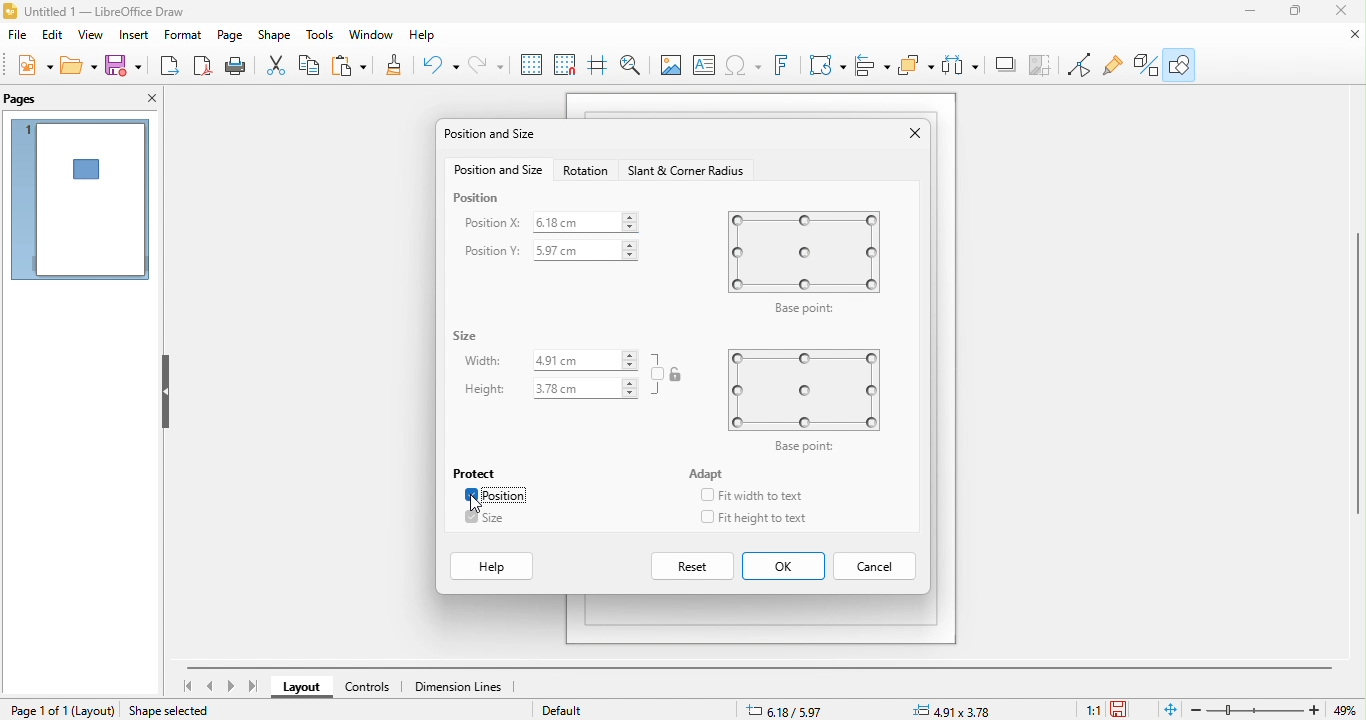 Image resolution: width=1366 pixels, height=720 pixels. I want to click on 7.75/8.45, so click(812, 709).